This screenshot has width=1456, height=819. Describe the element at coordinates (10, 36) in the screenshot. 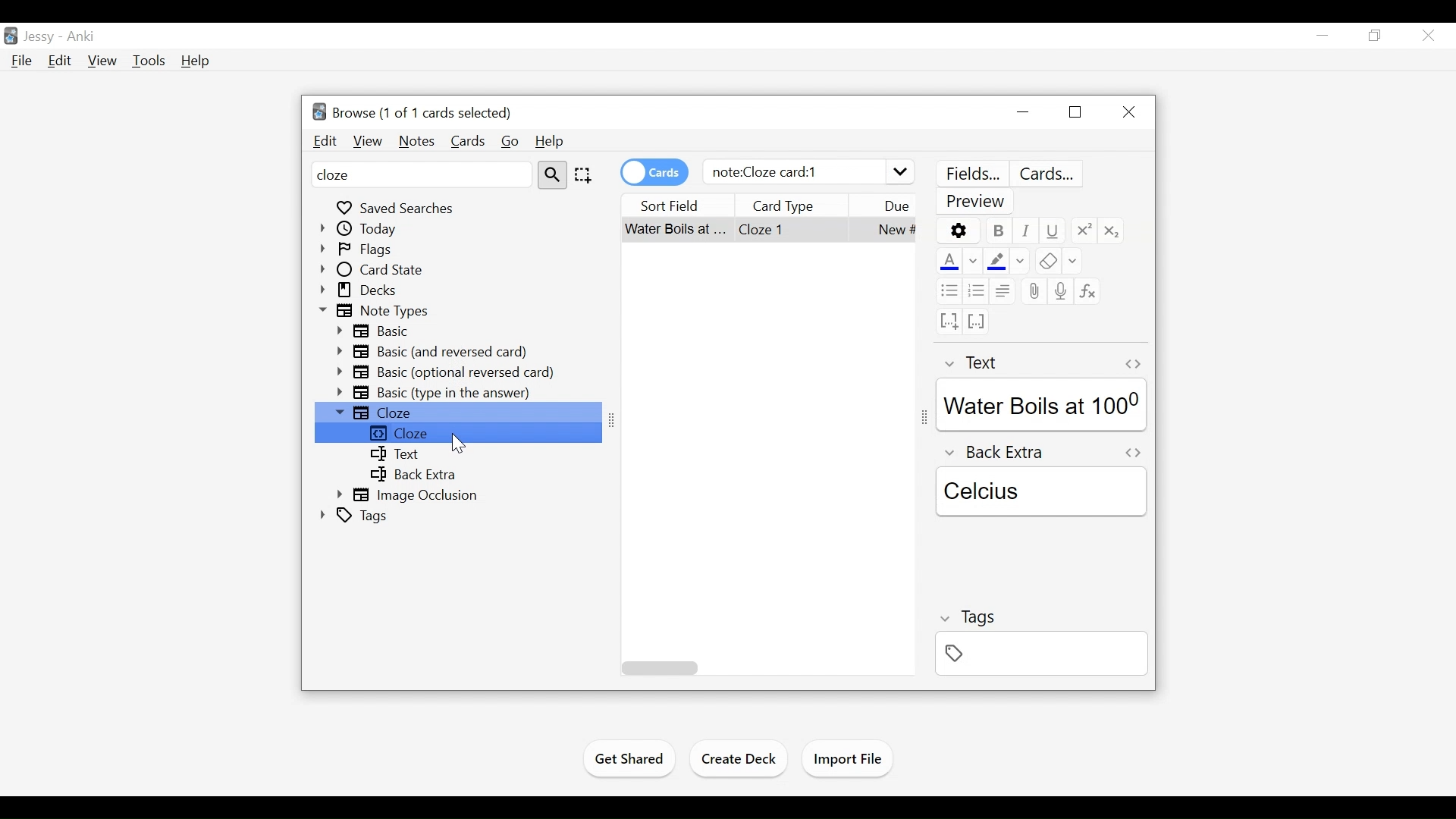

I see `Anki Desktop icon` at that location.